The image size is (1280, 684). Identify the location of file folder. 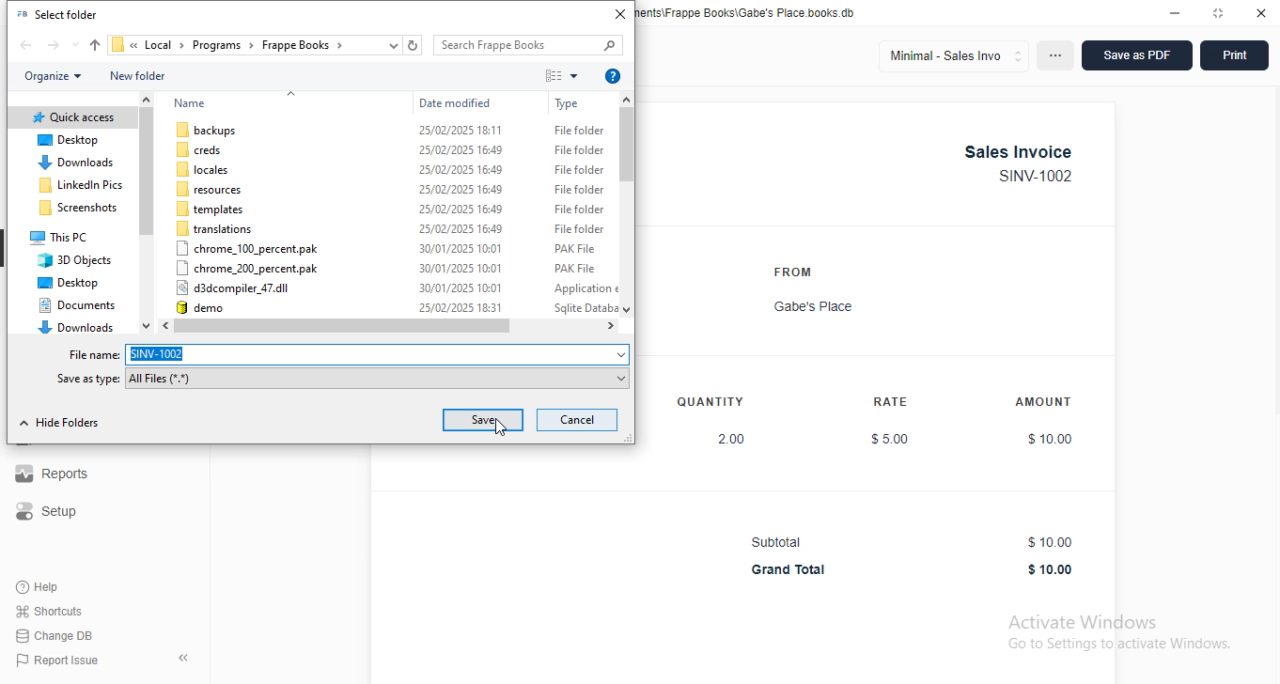
(578, 169).